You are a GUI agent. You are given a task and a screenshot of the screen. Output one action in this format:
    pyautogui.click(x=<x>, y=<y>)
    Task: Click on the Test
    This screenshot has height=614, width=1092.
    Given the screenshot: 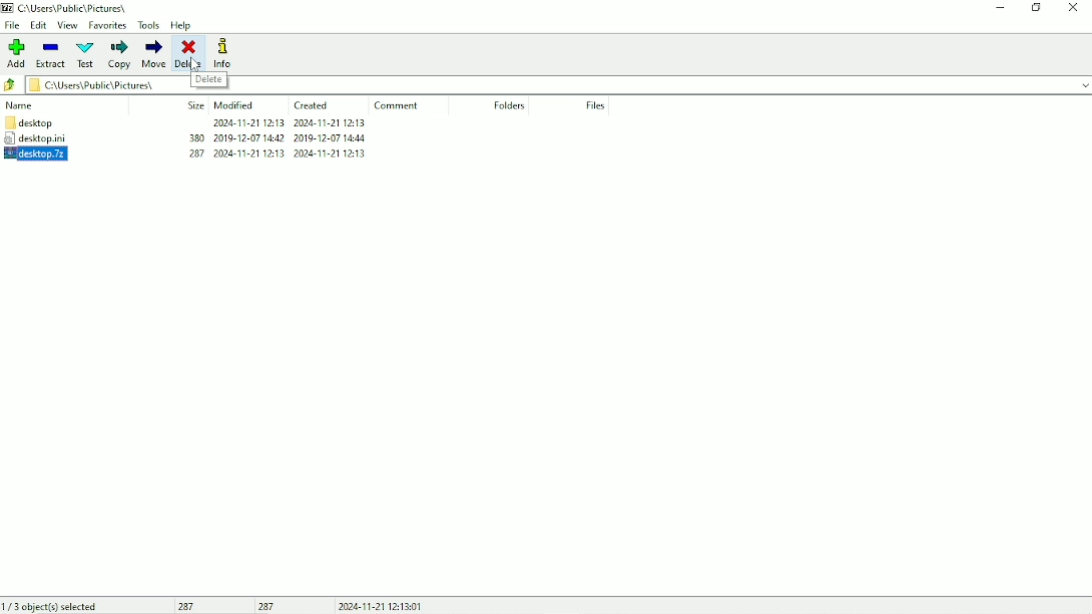 What is the action you would take?
    pyautogui.click(x=86, y=55)
    